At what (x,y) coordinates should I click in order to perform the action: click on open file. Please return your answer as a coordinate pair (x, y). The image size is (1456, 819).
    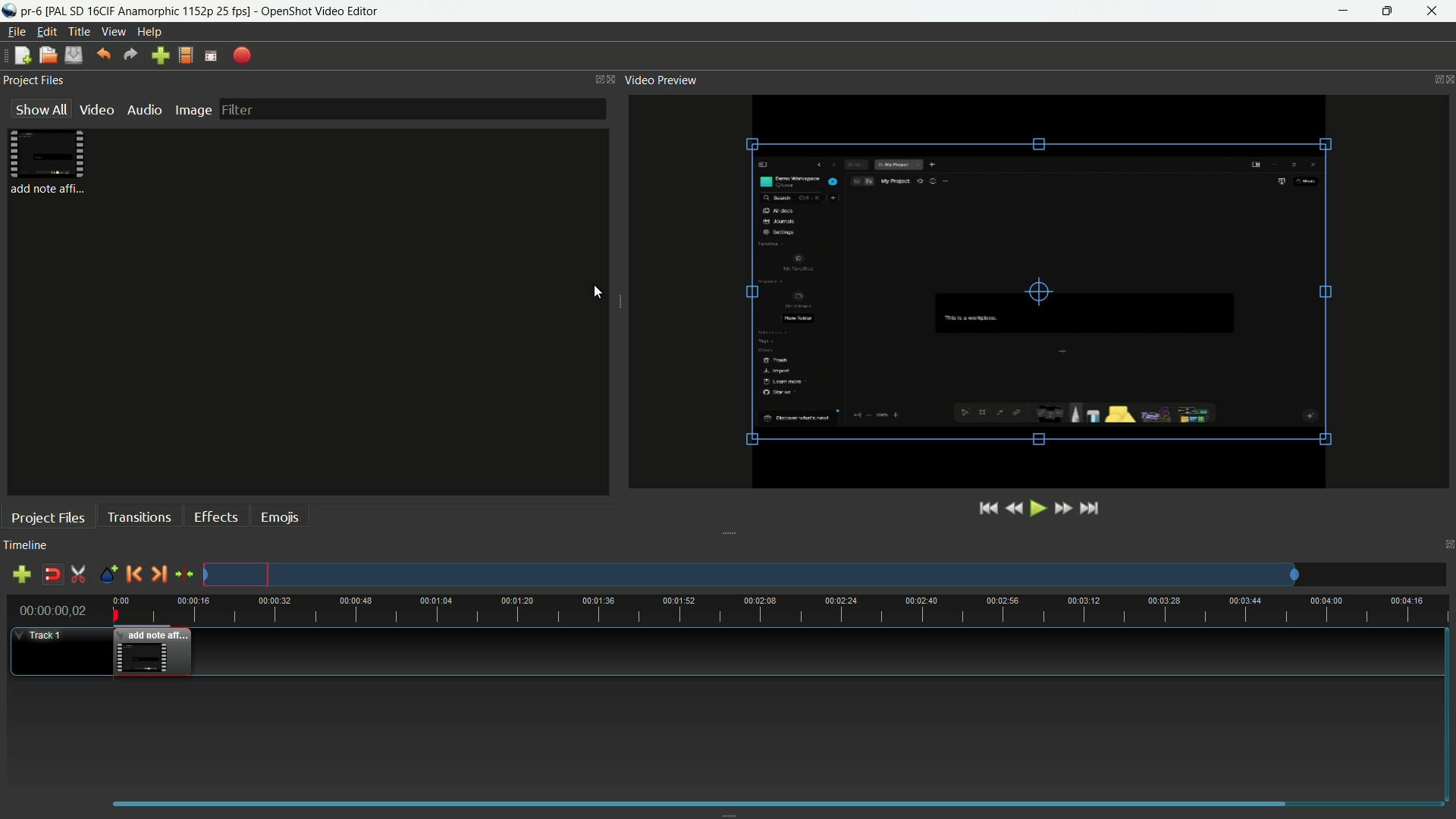
    Looking at the image, I should click on (46, 55).